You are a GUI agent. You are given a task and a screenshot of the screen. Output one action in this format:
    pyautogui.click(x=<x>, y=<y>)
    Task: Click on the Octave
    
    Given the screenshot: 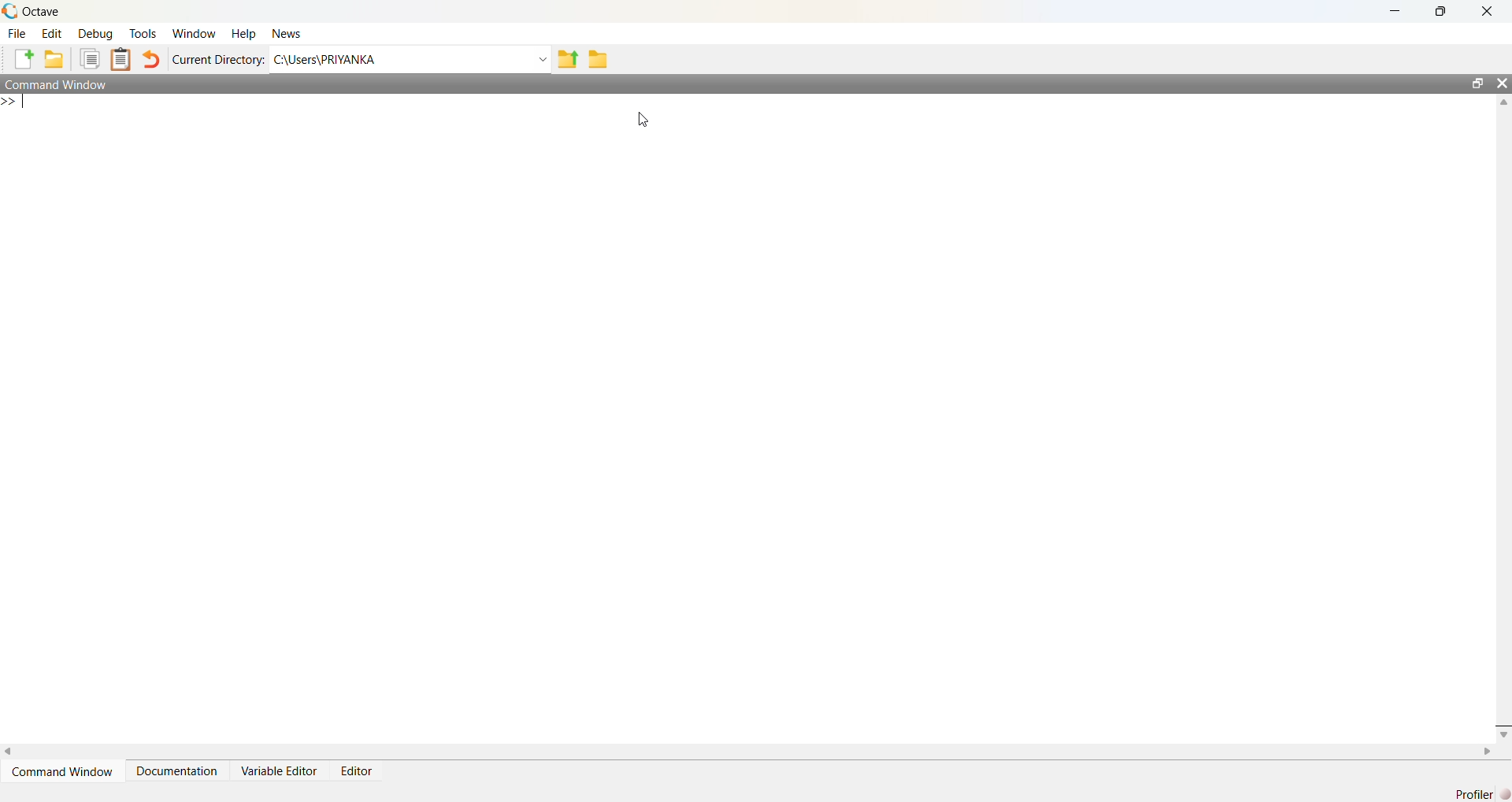 What is the action you would take?
    pyautogui.click(x=42, y=11)
    